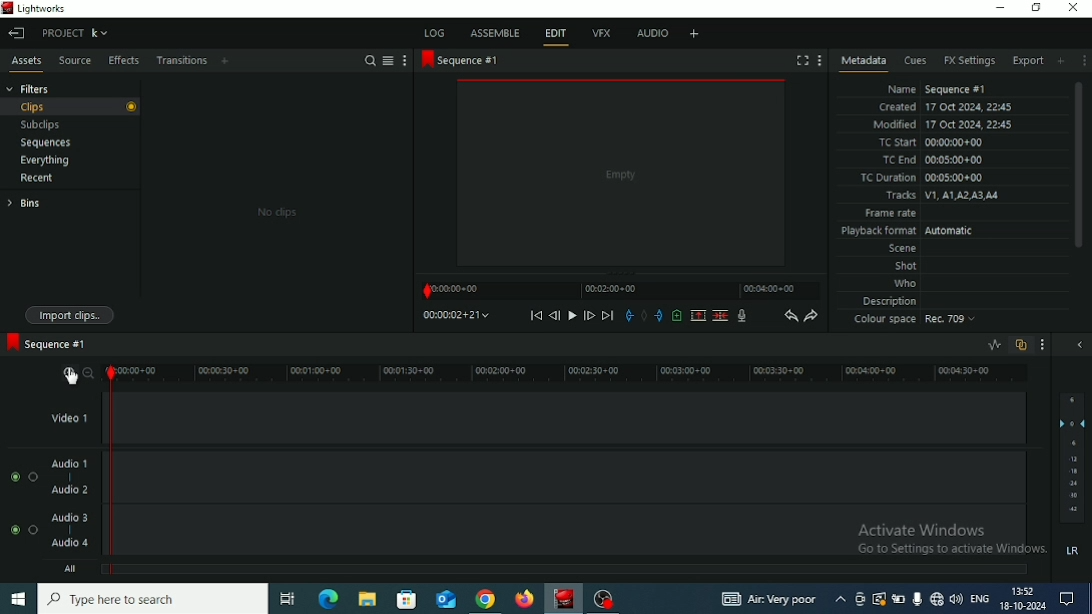 The height and width of the screenshot is (614, 1092). Describe the element at coordinates (328, 597) in the screenshot. I see `Microsoft Edge` at that location.